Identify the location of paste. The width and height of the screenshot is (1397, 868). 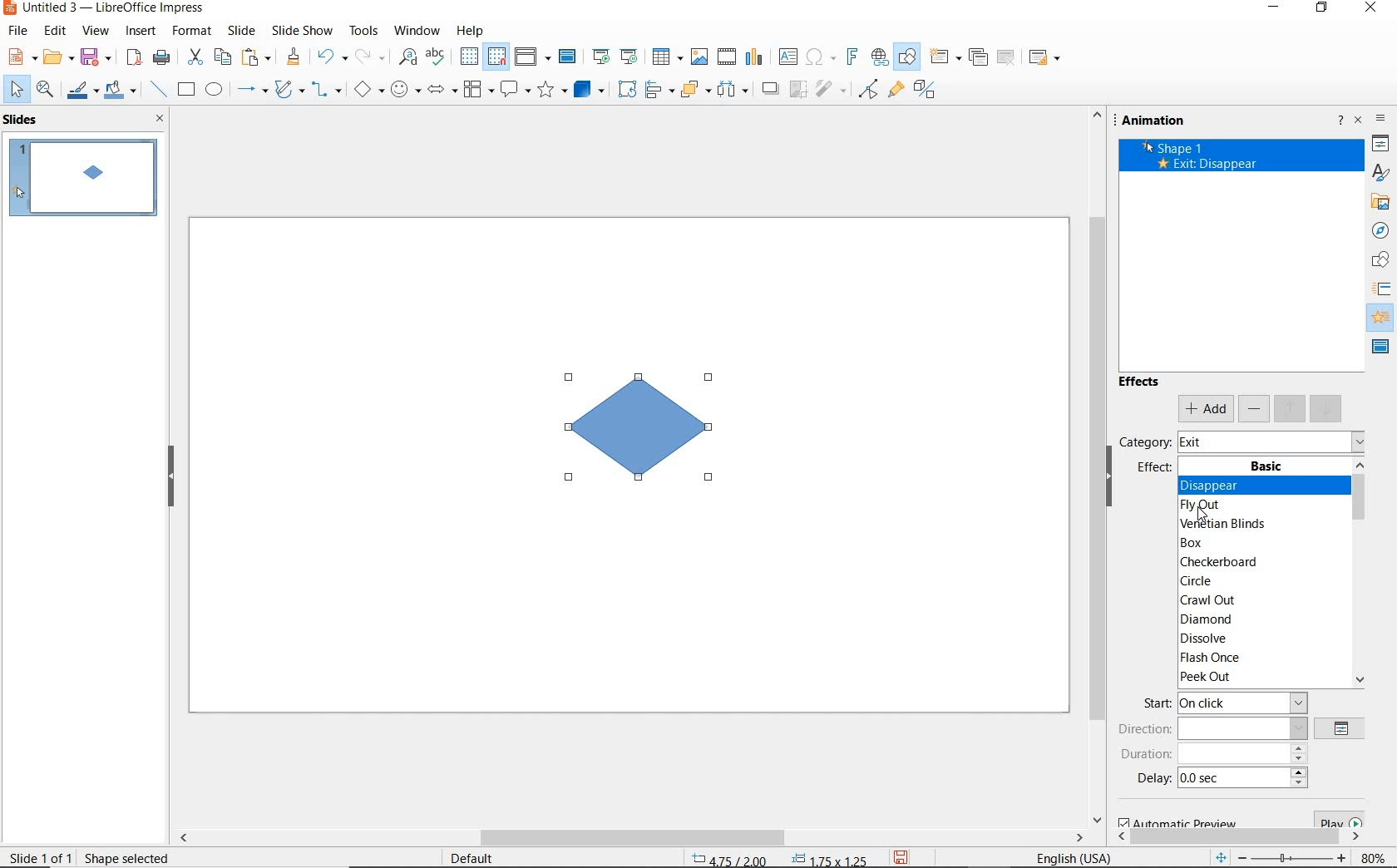
(255, 57).